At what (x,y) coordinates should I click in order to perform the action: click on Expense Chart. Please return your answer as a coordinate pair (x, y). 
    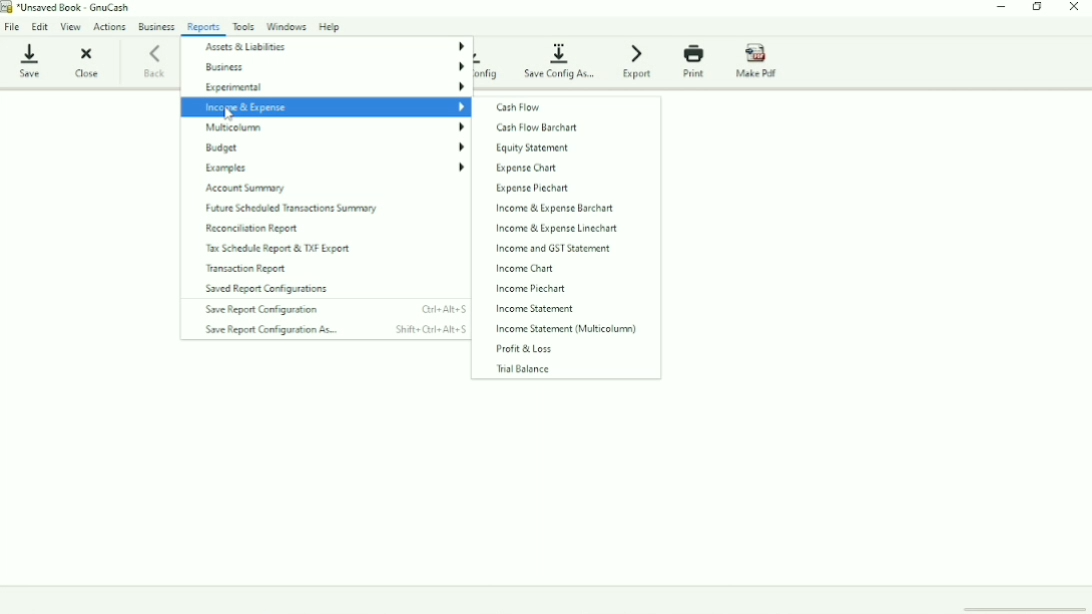
    Looking at the image, I should click on (525, 168).